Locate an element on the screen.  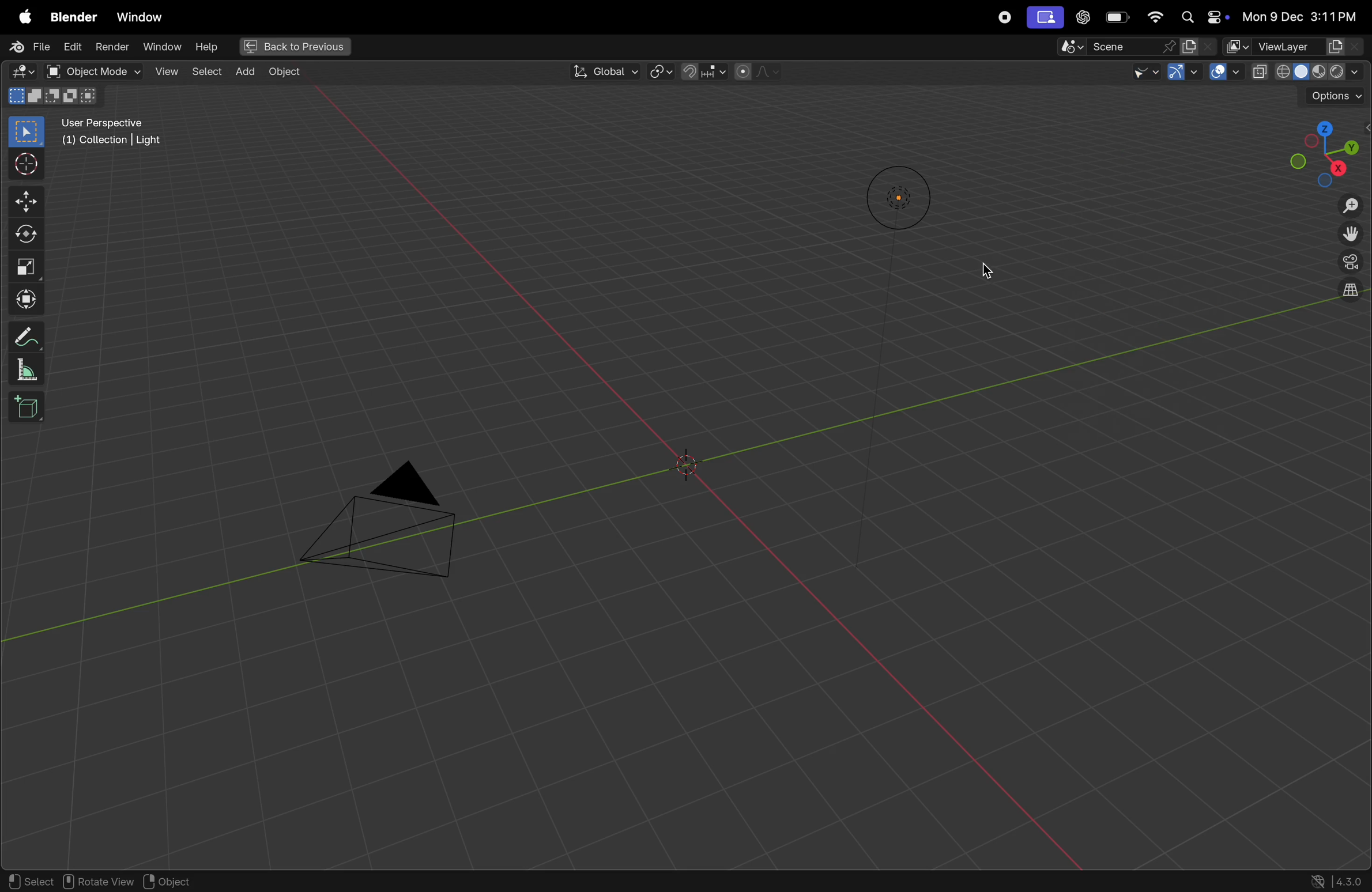
add is located at coordinates (244, 73).